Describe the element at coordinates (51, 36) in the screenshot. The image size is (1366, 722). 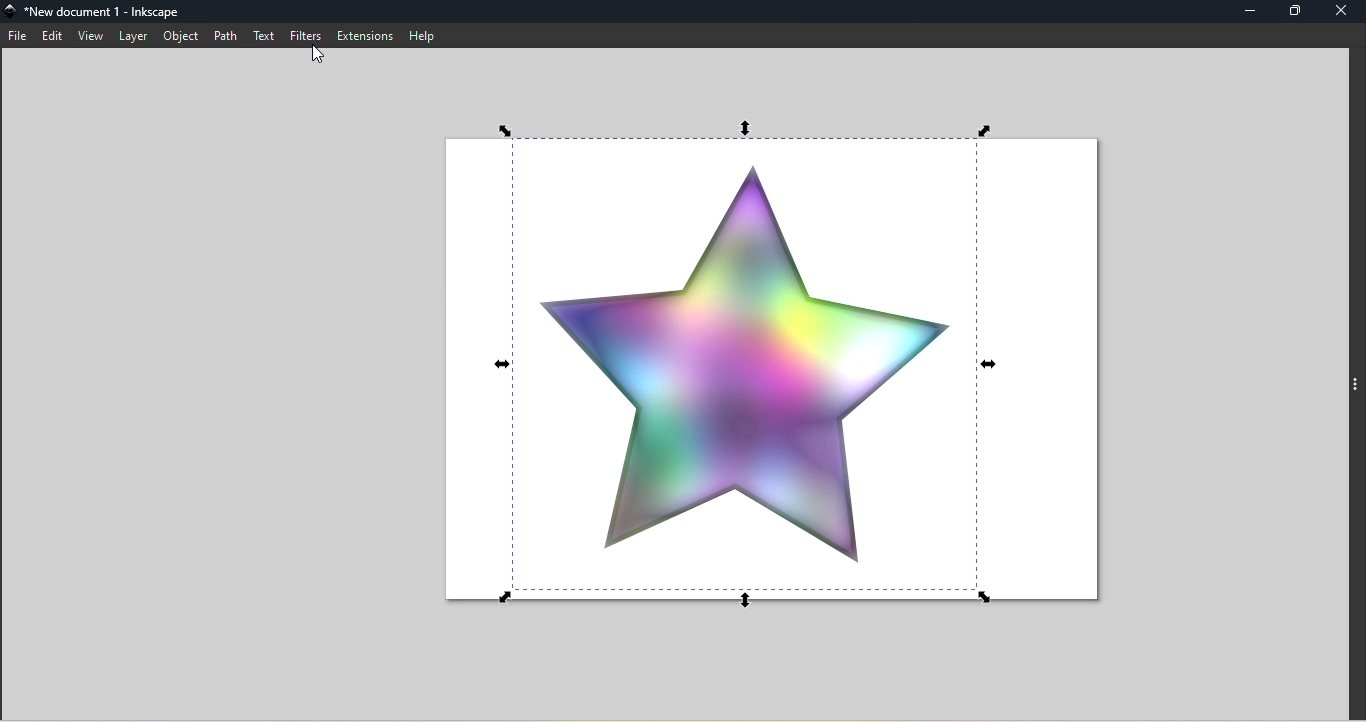
I see `Edit` at that location.